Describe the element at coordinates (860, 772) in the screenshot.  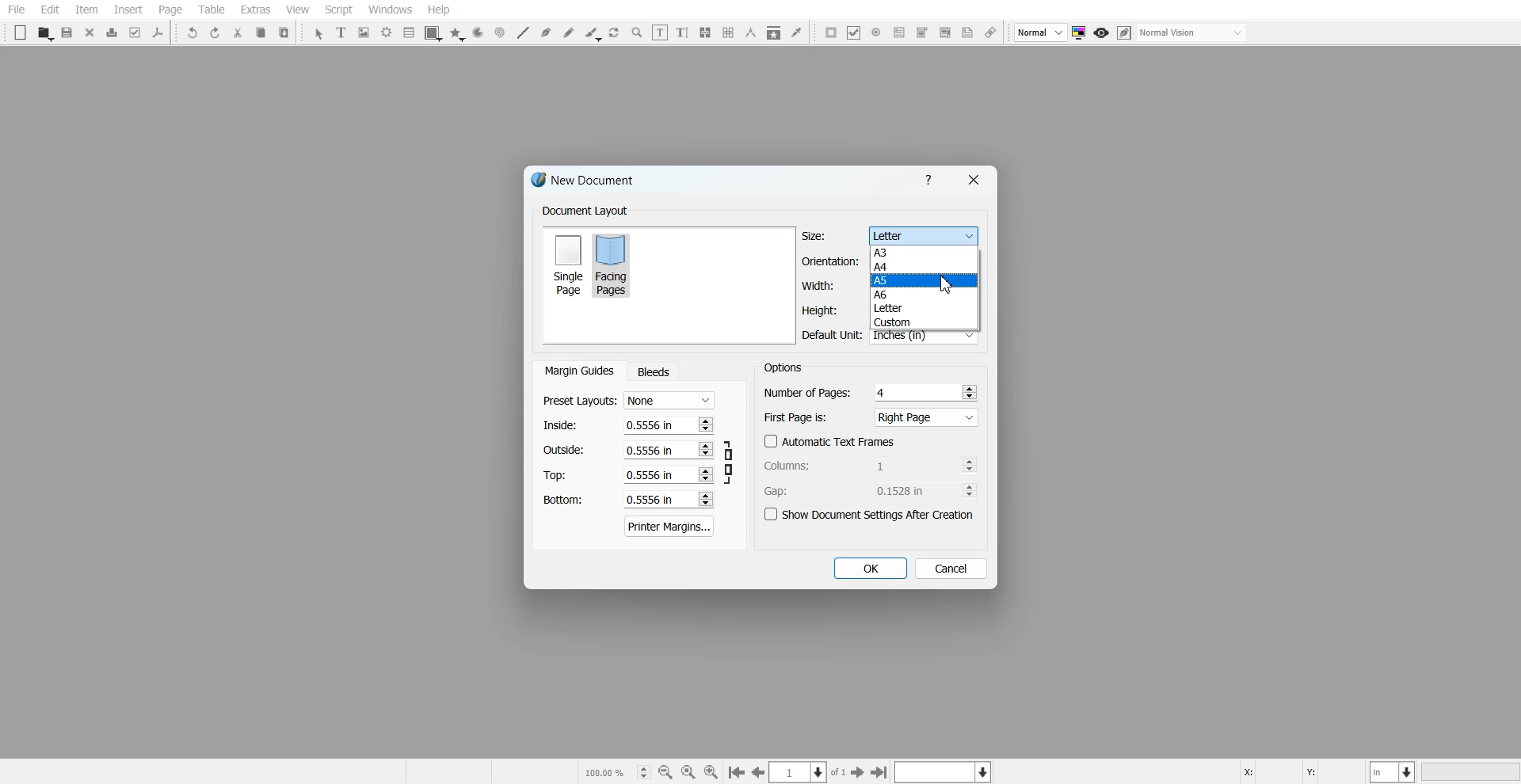
I see `Go to the First page` at that location.